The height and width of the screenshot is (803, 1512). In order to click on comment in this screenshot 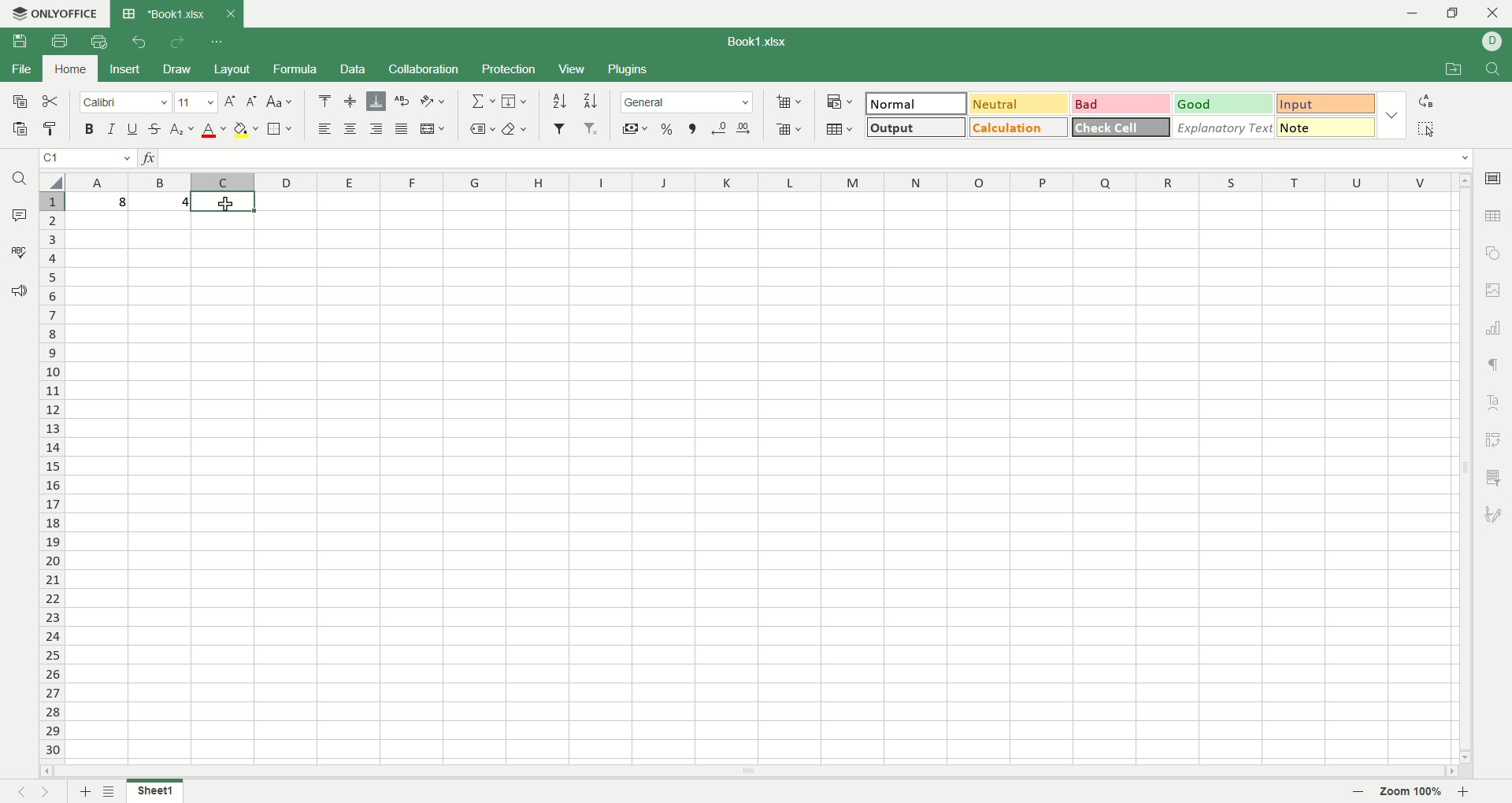, I will do `click(17, 213)`.